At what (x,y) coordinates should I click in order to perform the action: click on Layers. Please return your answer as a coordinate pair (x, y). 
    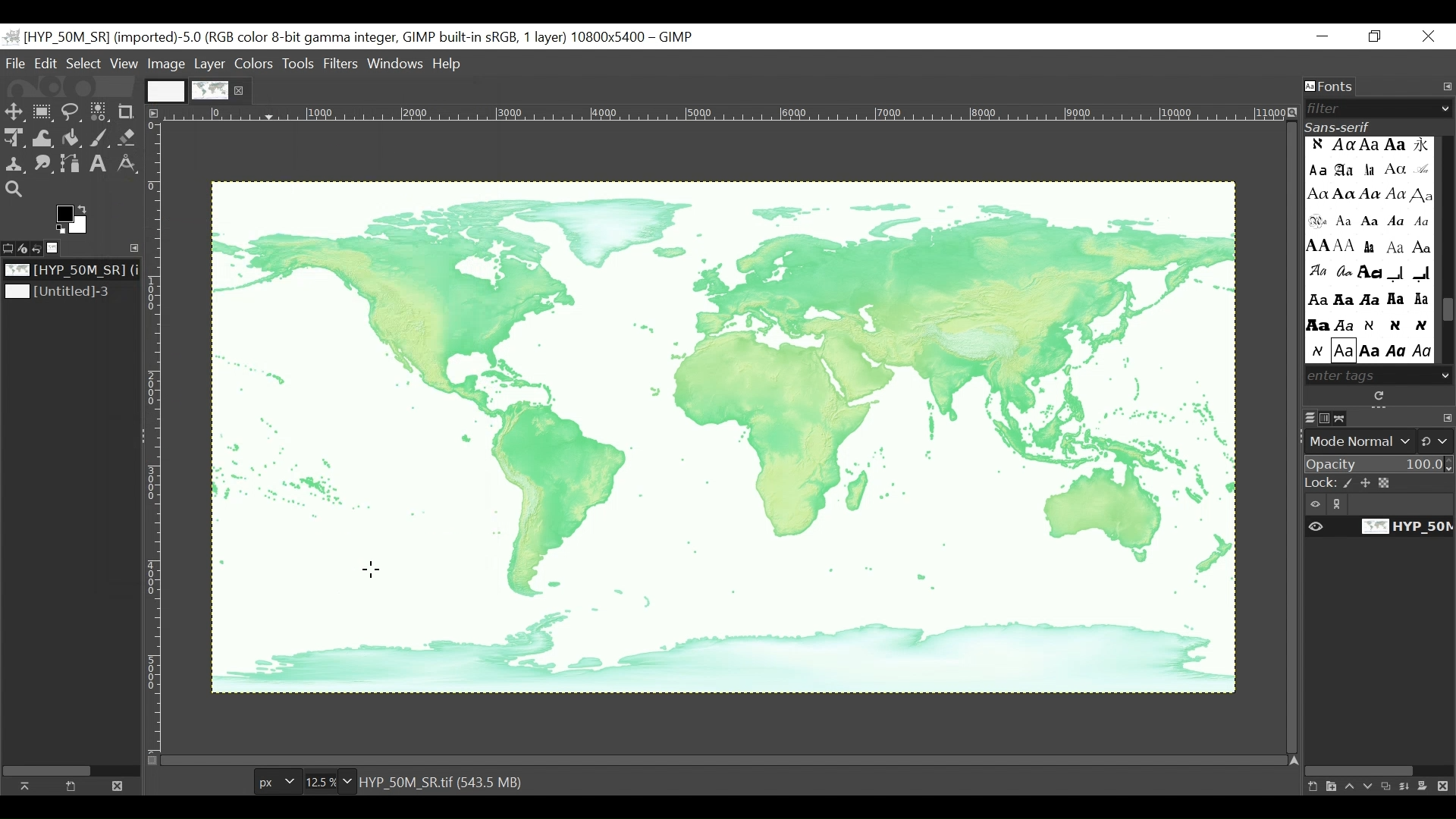
    Looking at the image, I should click on (1310, 419).